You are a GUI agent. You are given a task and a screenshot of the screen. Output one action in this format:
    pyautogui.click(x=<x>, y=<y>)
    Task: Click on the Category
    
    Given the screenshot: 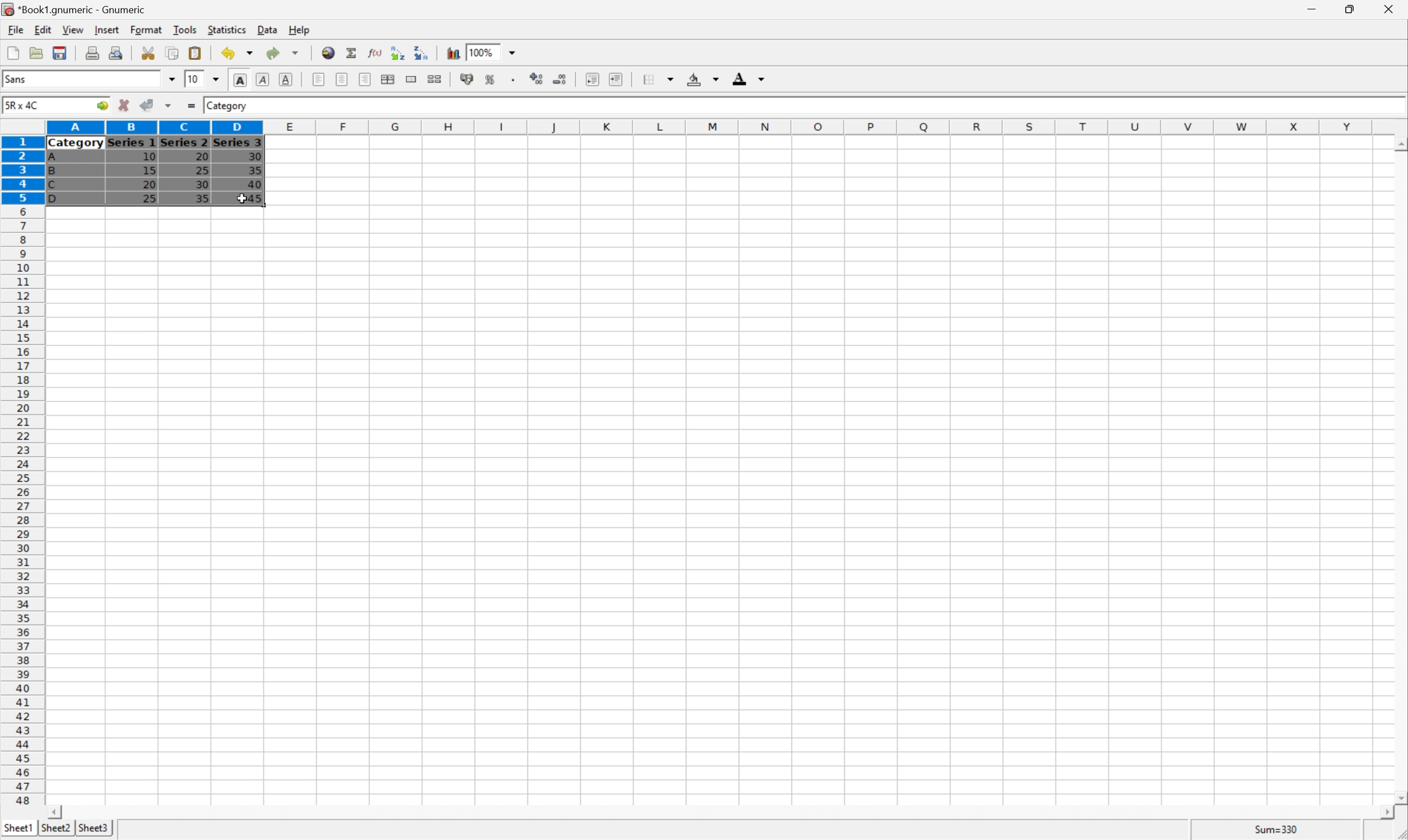 What is the action you would take?
    pyautogui.click(x=228, y=106)
    